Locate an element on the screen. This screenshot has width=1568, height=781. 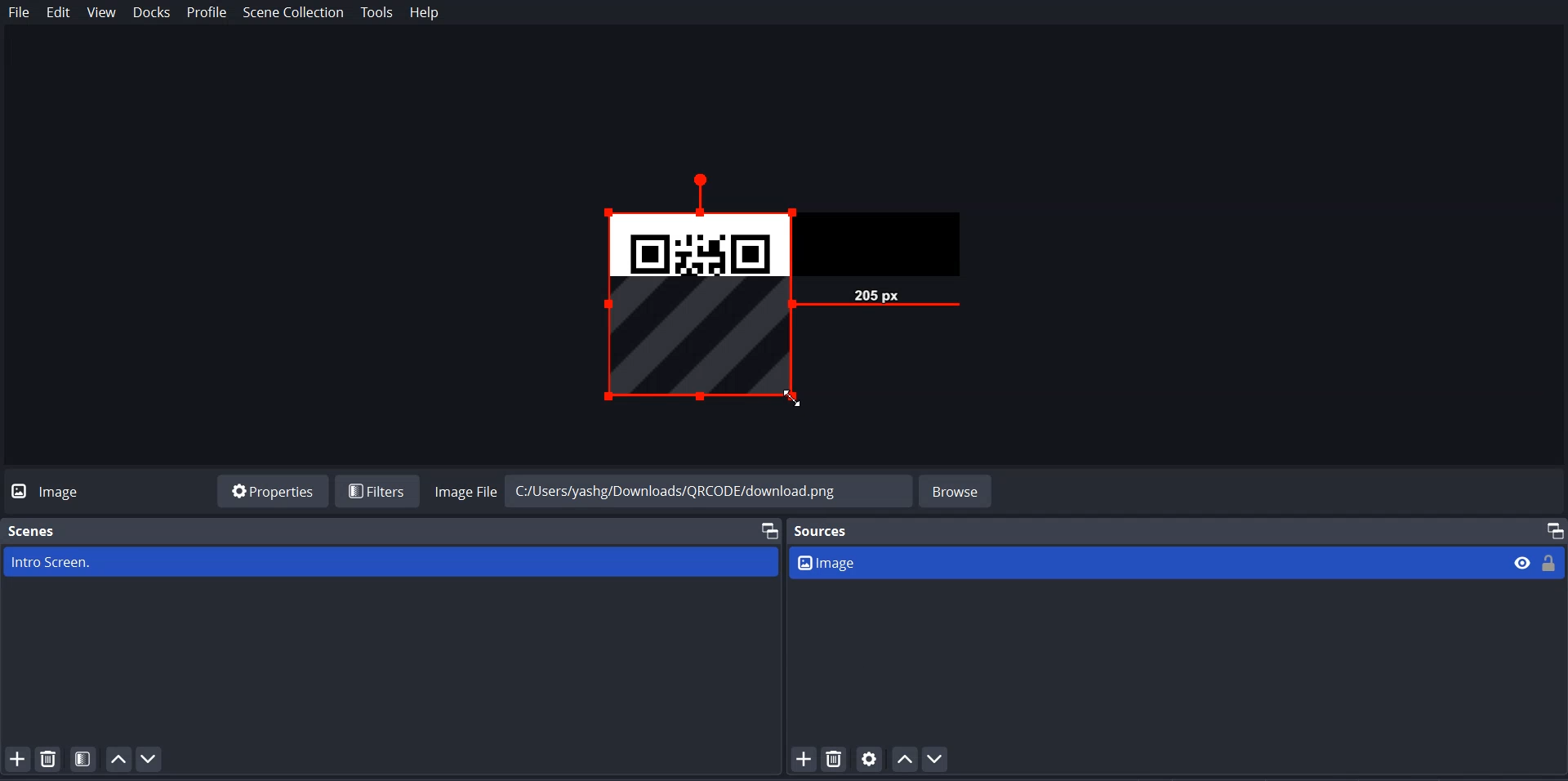
Open Source Properties is located at coordinates (871, 759).